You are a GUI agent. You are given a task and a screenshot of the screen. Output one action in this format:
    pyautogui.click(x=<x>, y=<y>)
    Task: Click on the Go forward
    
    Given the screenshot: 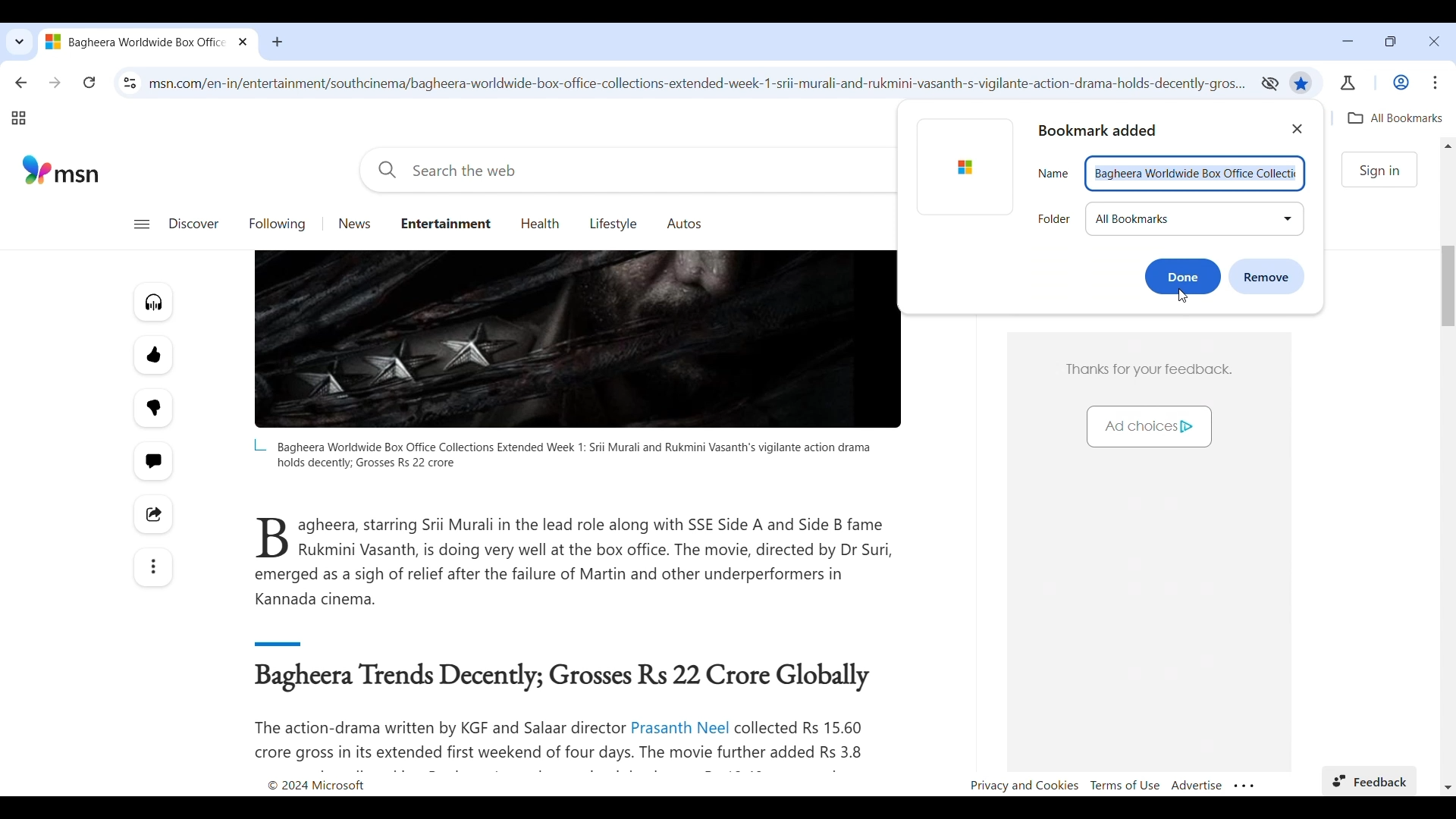 What is the action you would take?
    pyautogui.click(x=55, y=82)
    